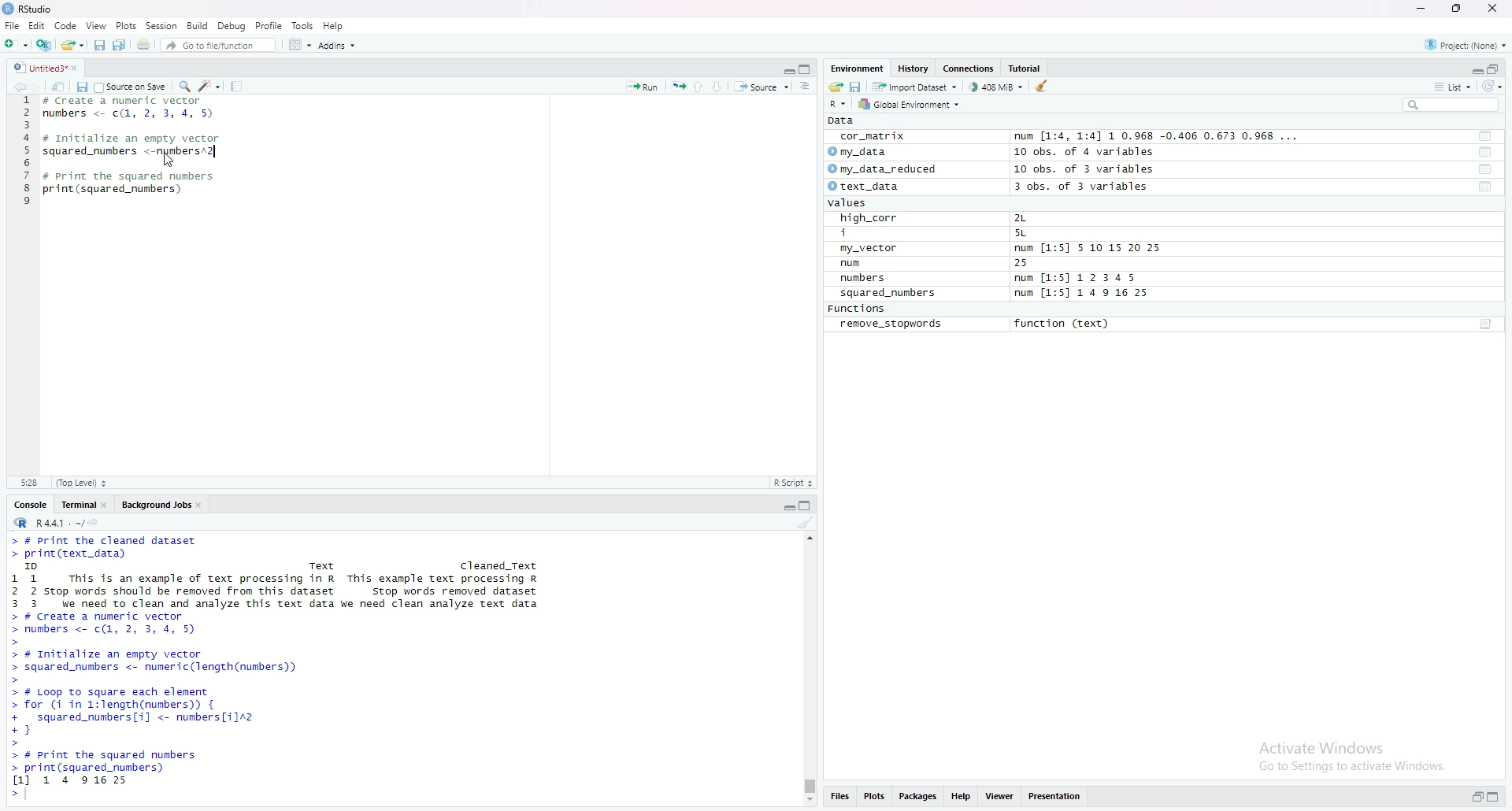 The width and height of the screenshot is (1512, 811). I want to click on re-run previous code region, so click(678, 85).